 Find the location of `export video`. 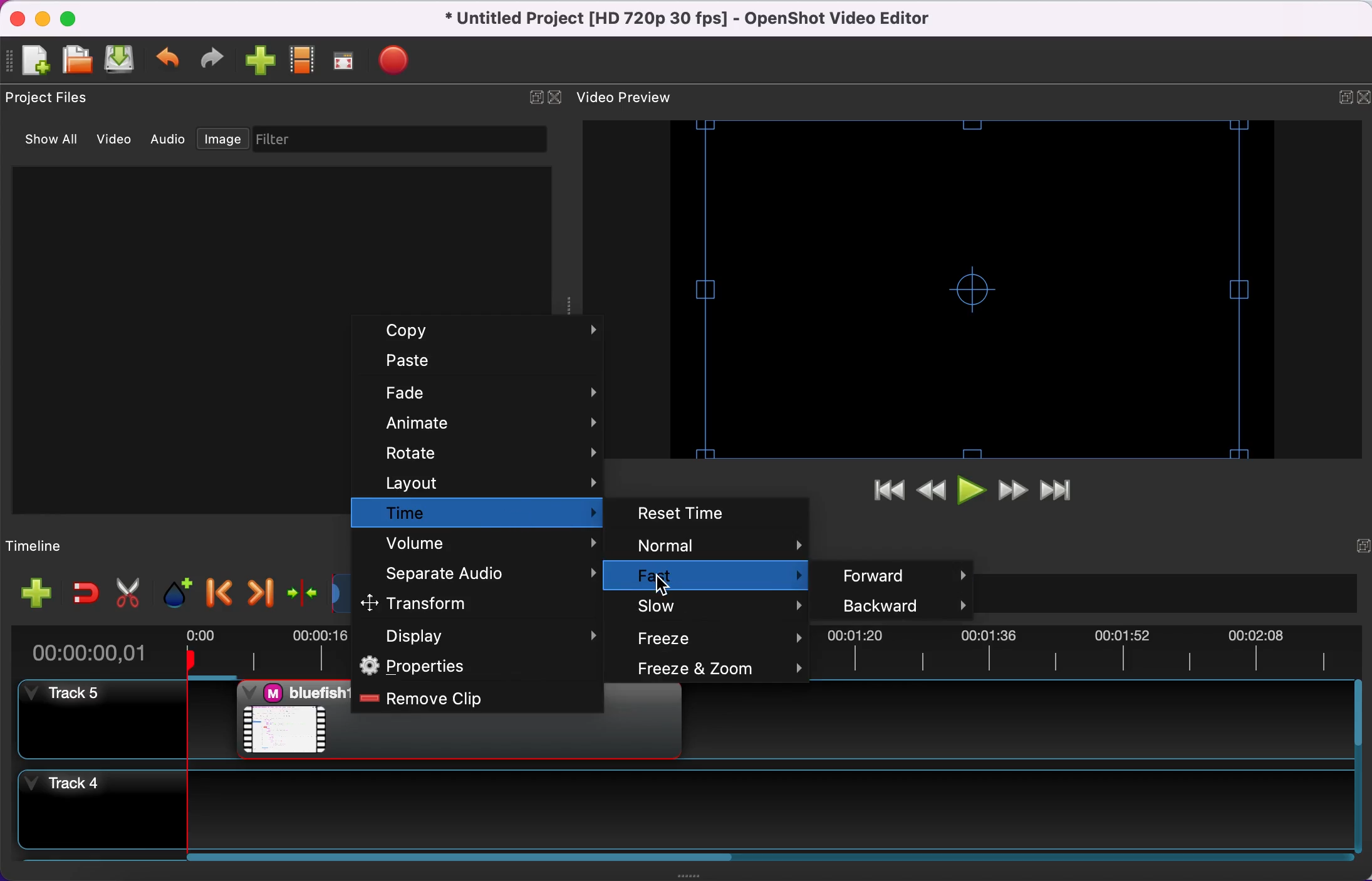

export video is located at coordinates (400, 61).